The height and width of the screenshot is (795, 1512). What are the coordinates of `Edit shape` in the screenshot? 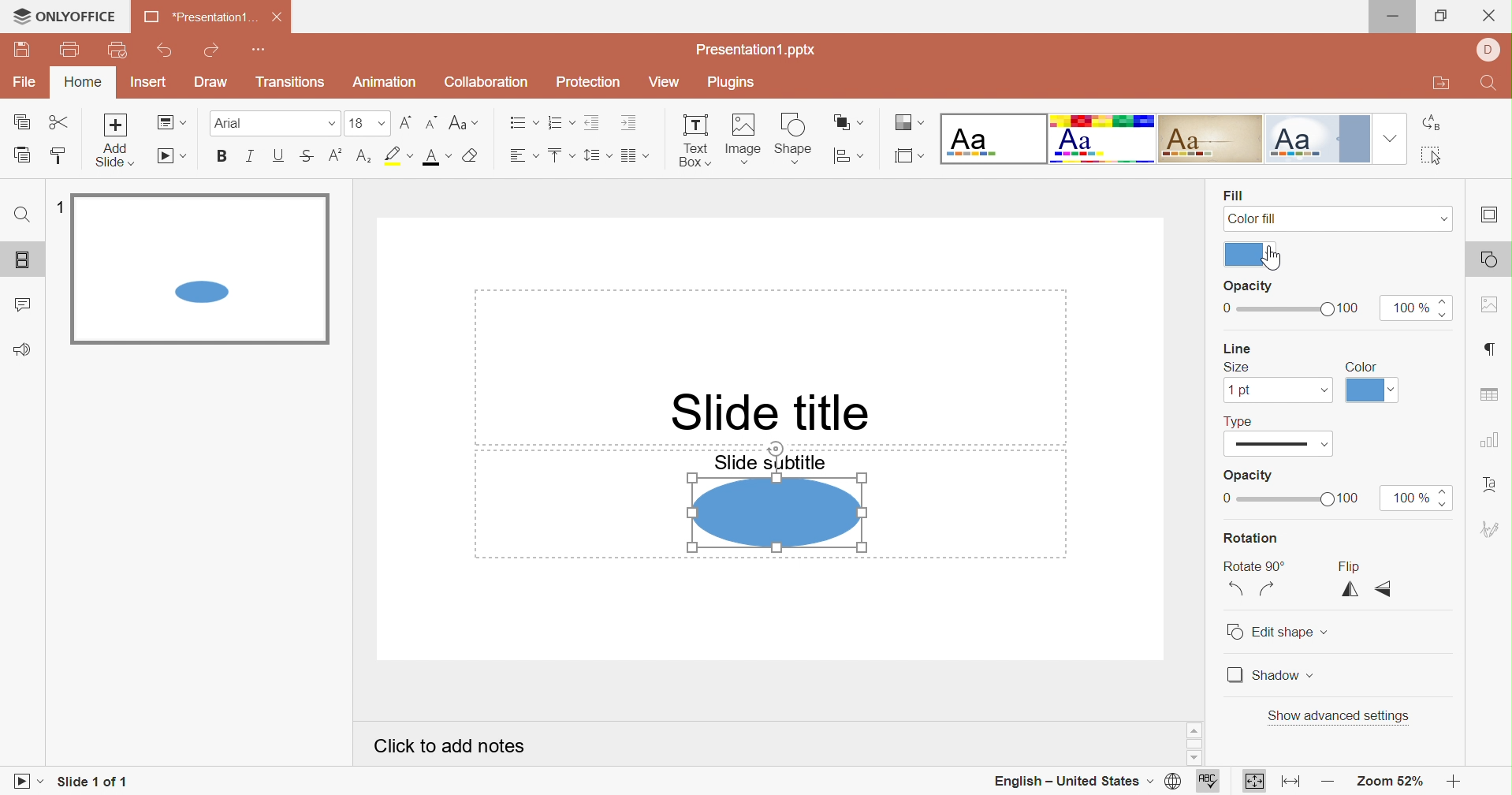 It's located at (1276, 633).